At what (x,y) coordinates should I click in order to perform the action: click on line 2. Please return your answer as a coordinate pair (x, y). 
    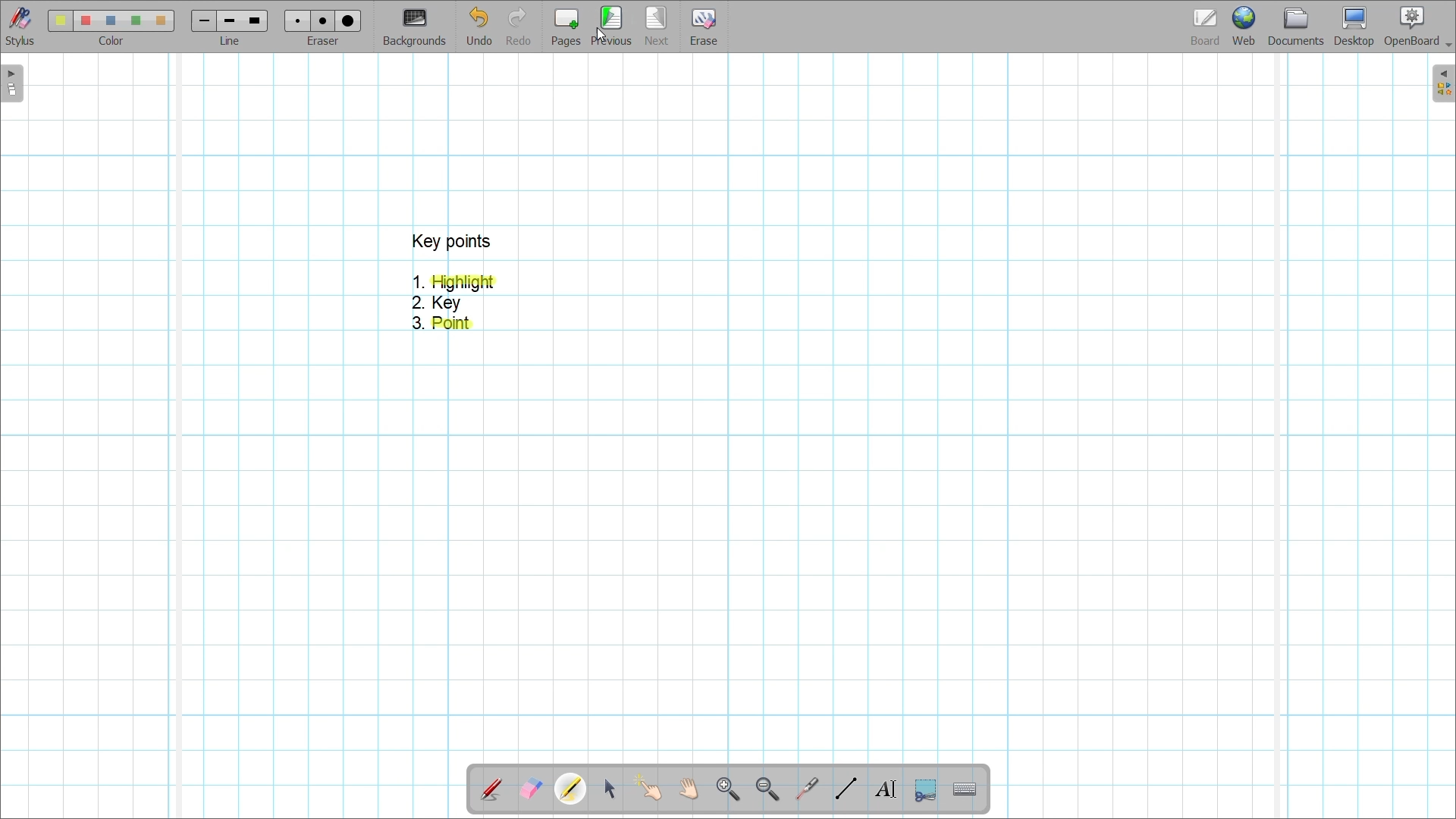
    Looking at the image, I should click on (227, 21).